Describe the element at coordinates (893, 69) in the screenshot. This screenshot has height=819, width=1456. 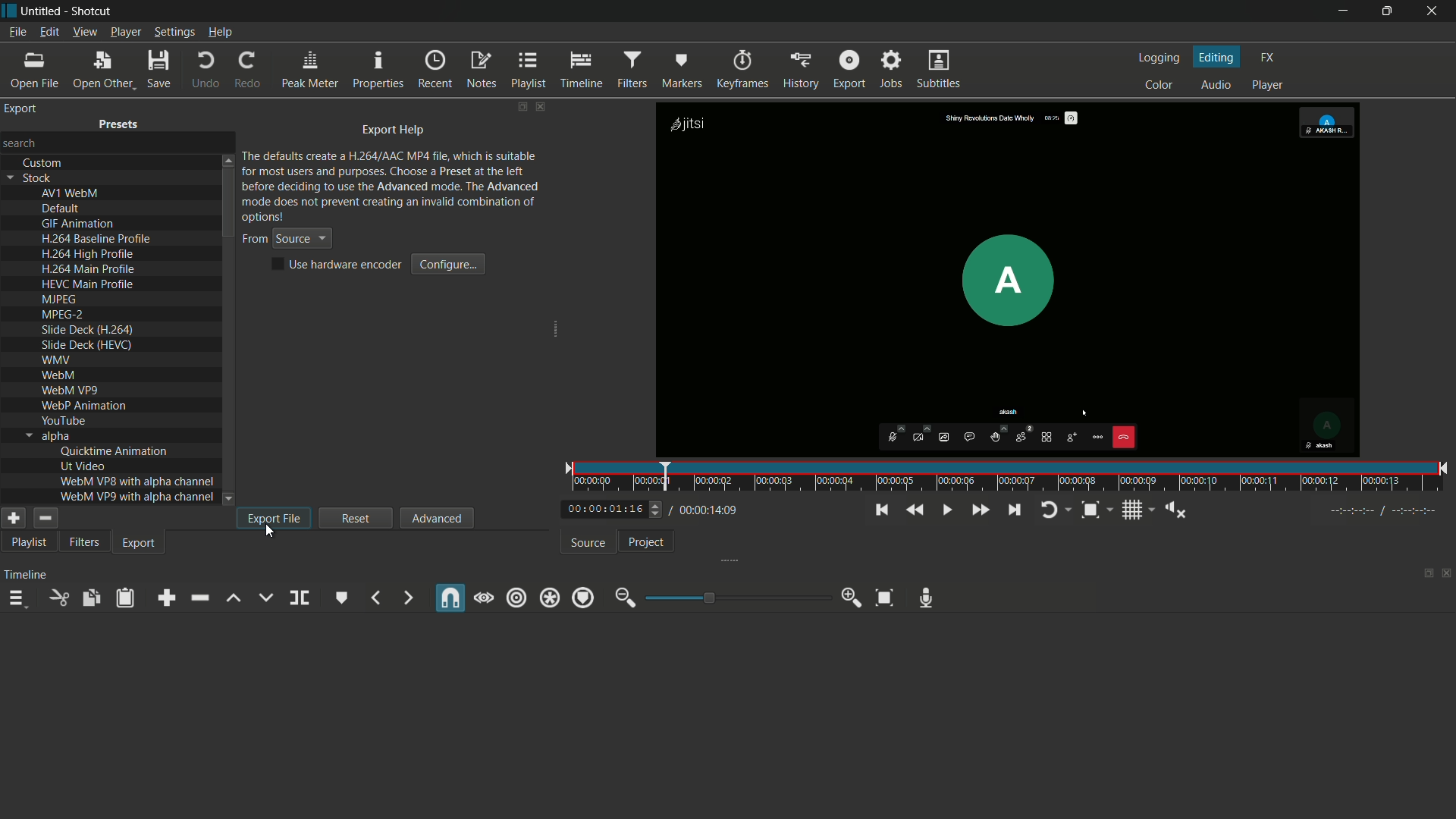
I see `jobs` at that location.